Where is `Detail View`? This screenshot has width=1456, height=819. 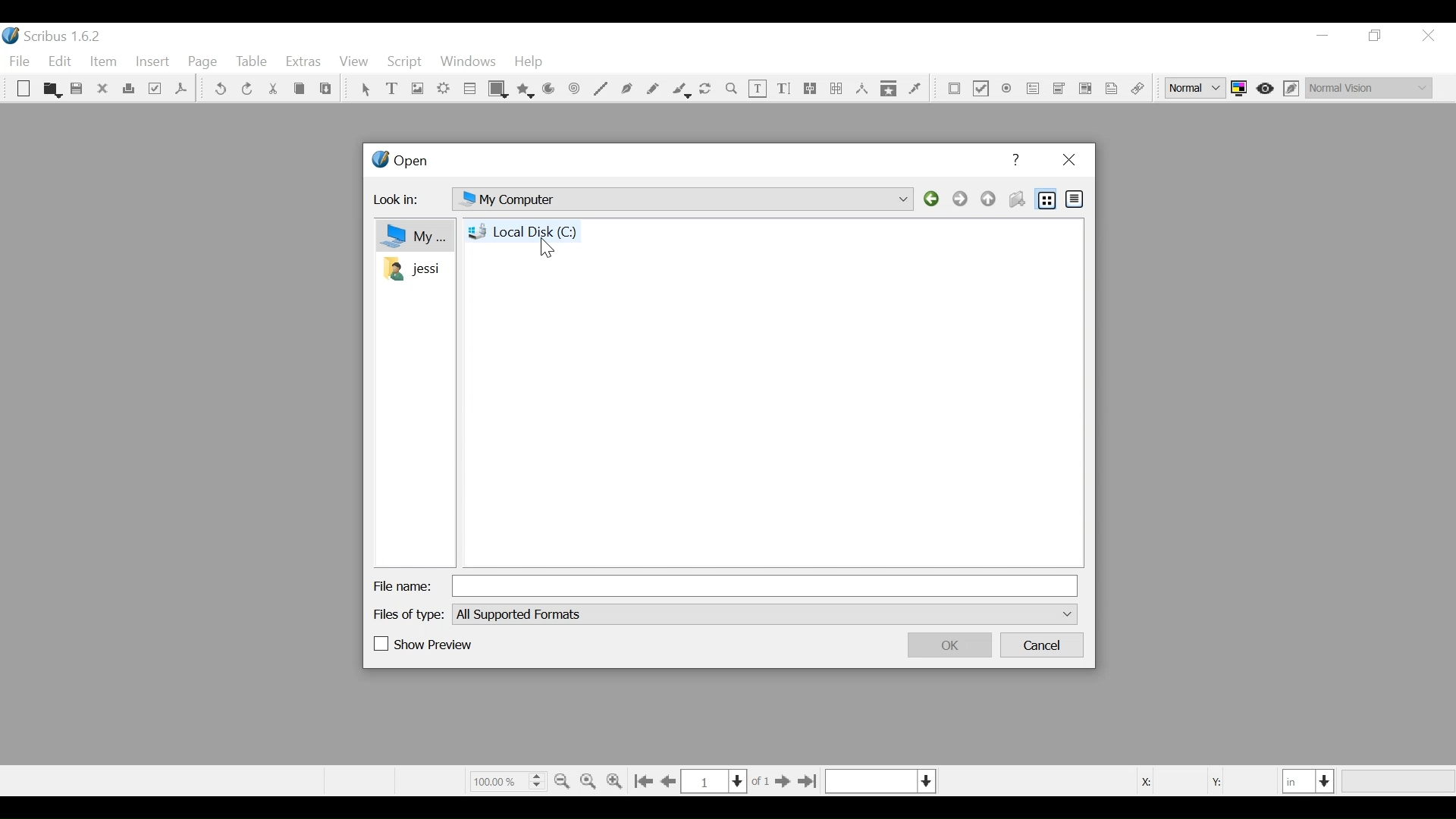
Detail View is located at coordinates (1073, 198).